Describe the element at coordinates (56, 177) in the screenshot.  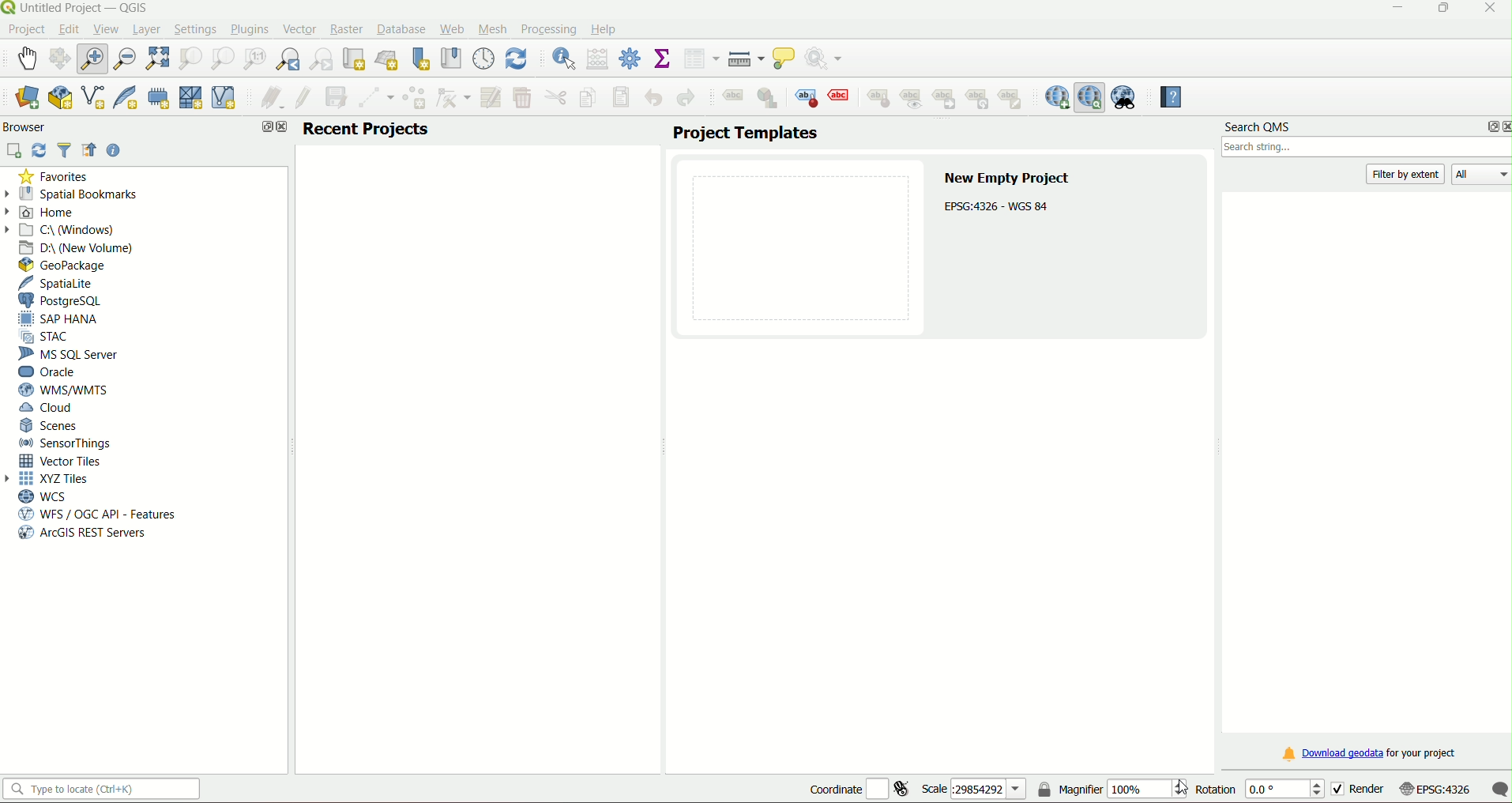
I see `favourites` at that location.